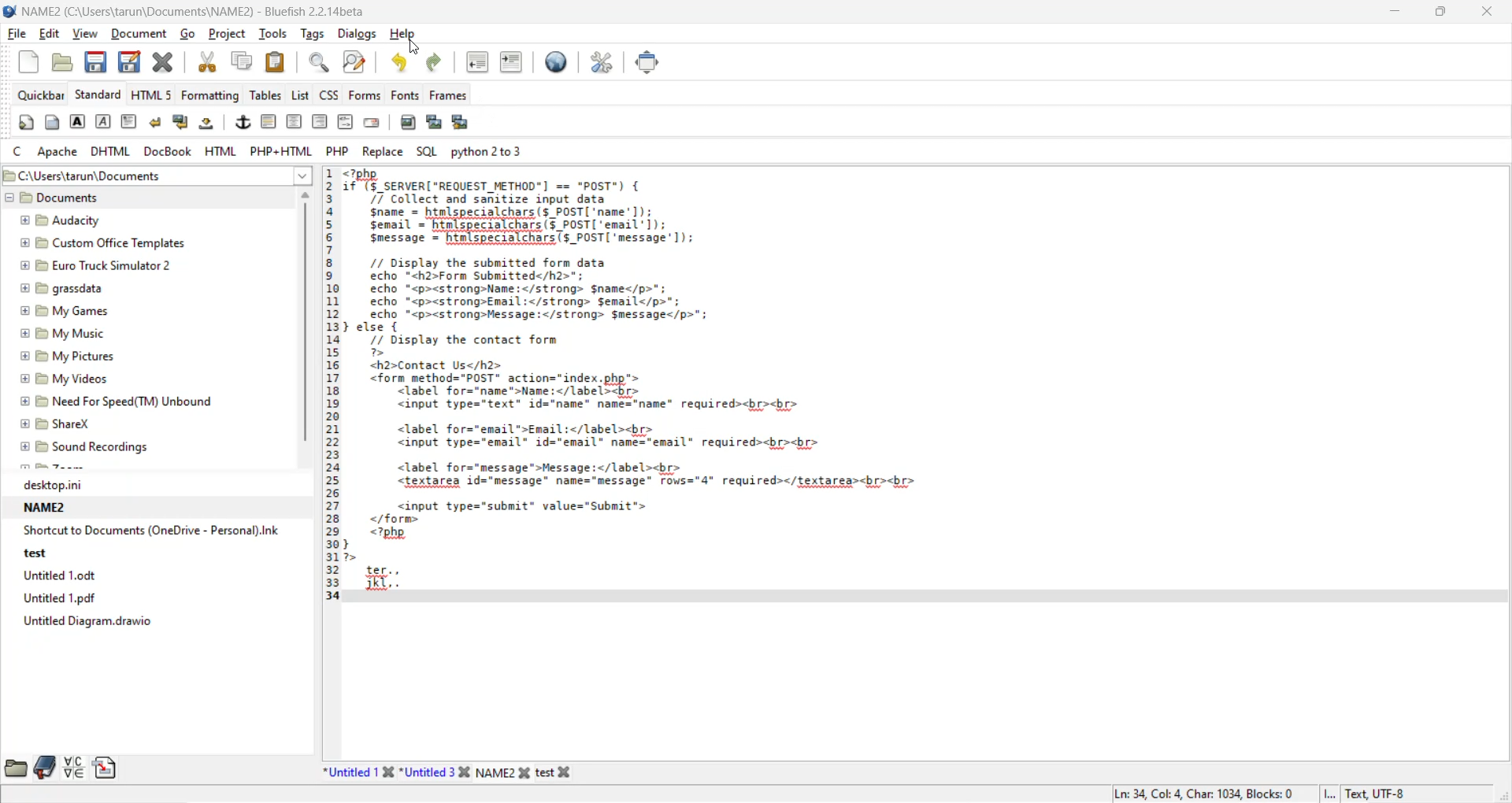 Image resolution: width=1512 pixels, height=803 pixels. What do you see at coordinates (156, 122) in the screenshot?
I see `break` at bounding box center [156, 122].